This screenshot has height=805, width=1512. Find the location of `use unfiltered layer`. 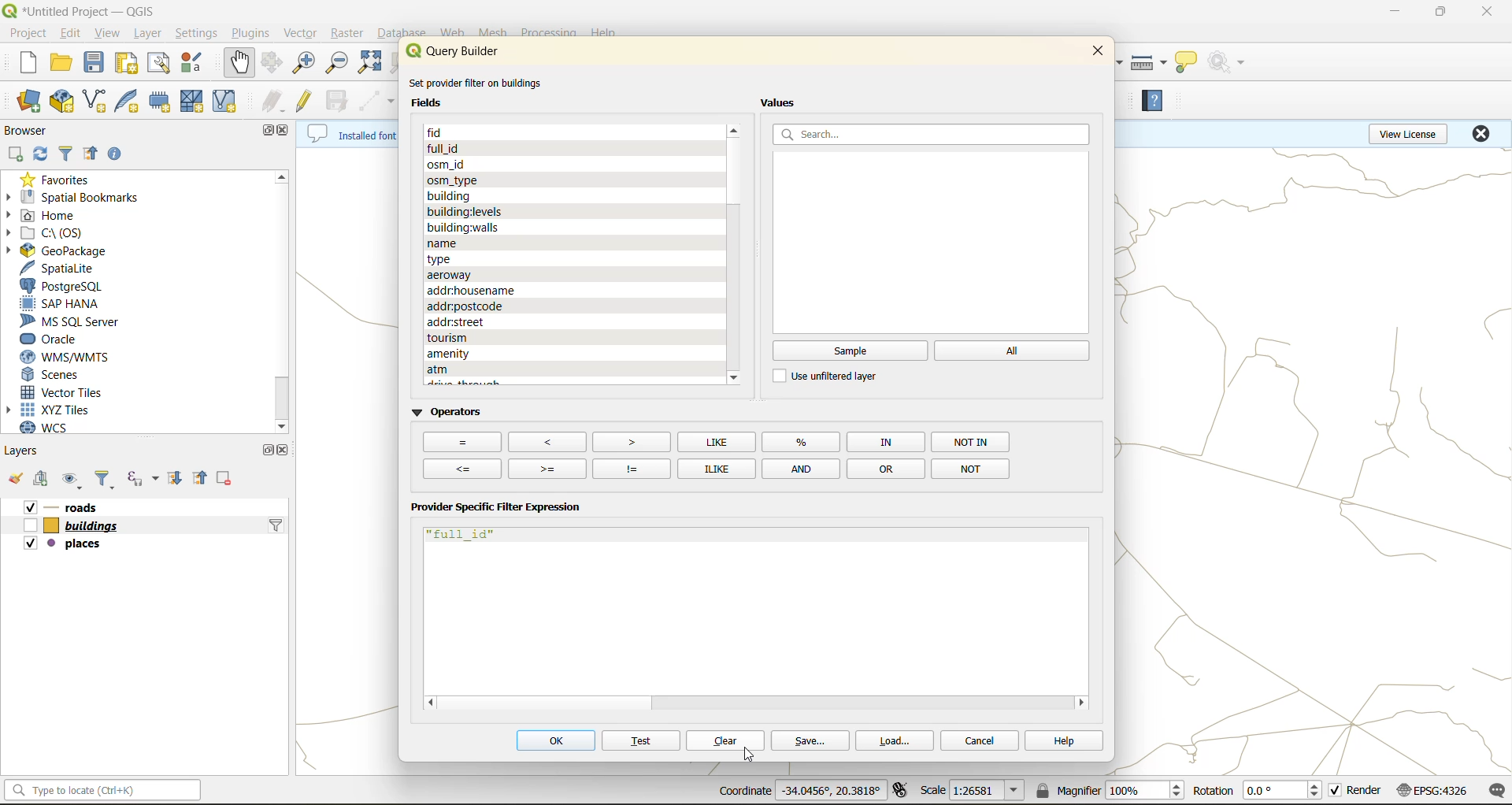

use unfiltered layer is located at coordinates (832, 377).